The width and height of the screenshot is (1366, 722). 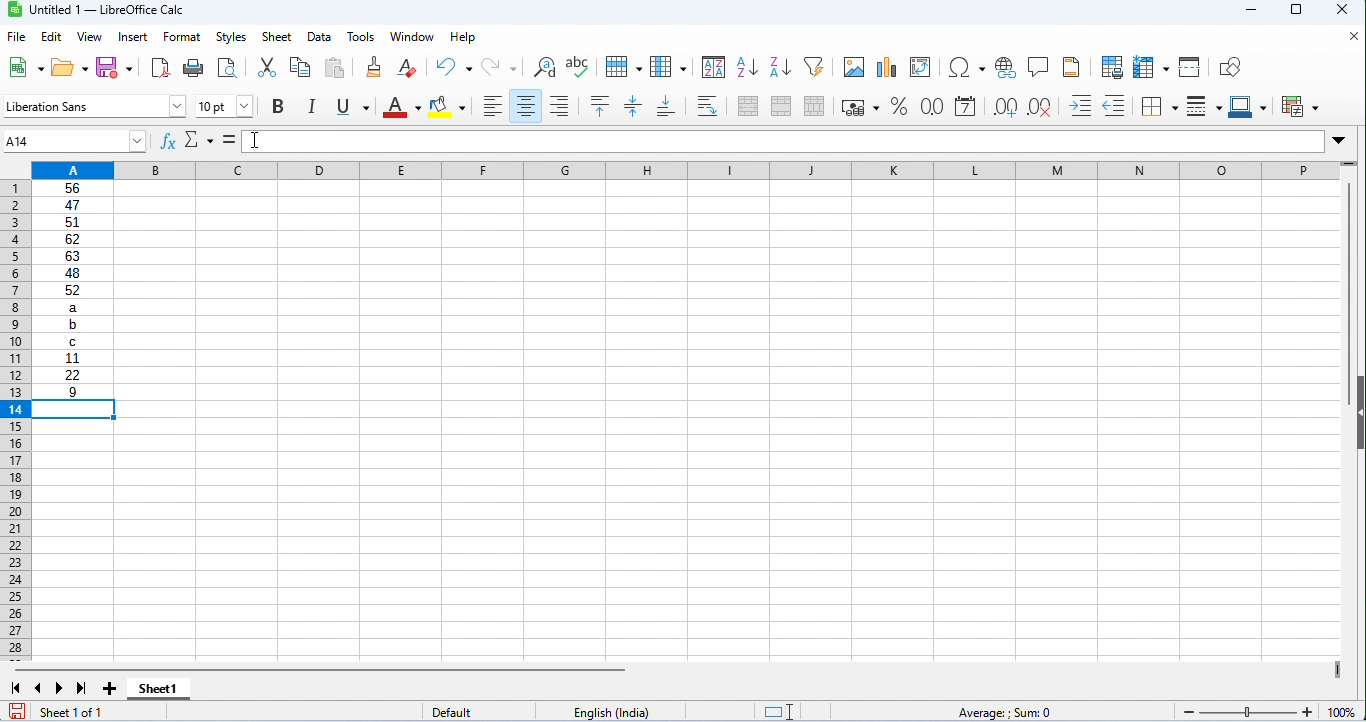 I want to click on save, so click(x=17, y=711).